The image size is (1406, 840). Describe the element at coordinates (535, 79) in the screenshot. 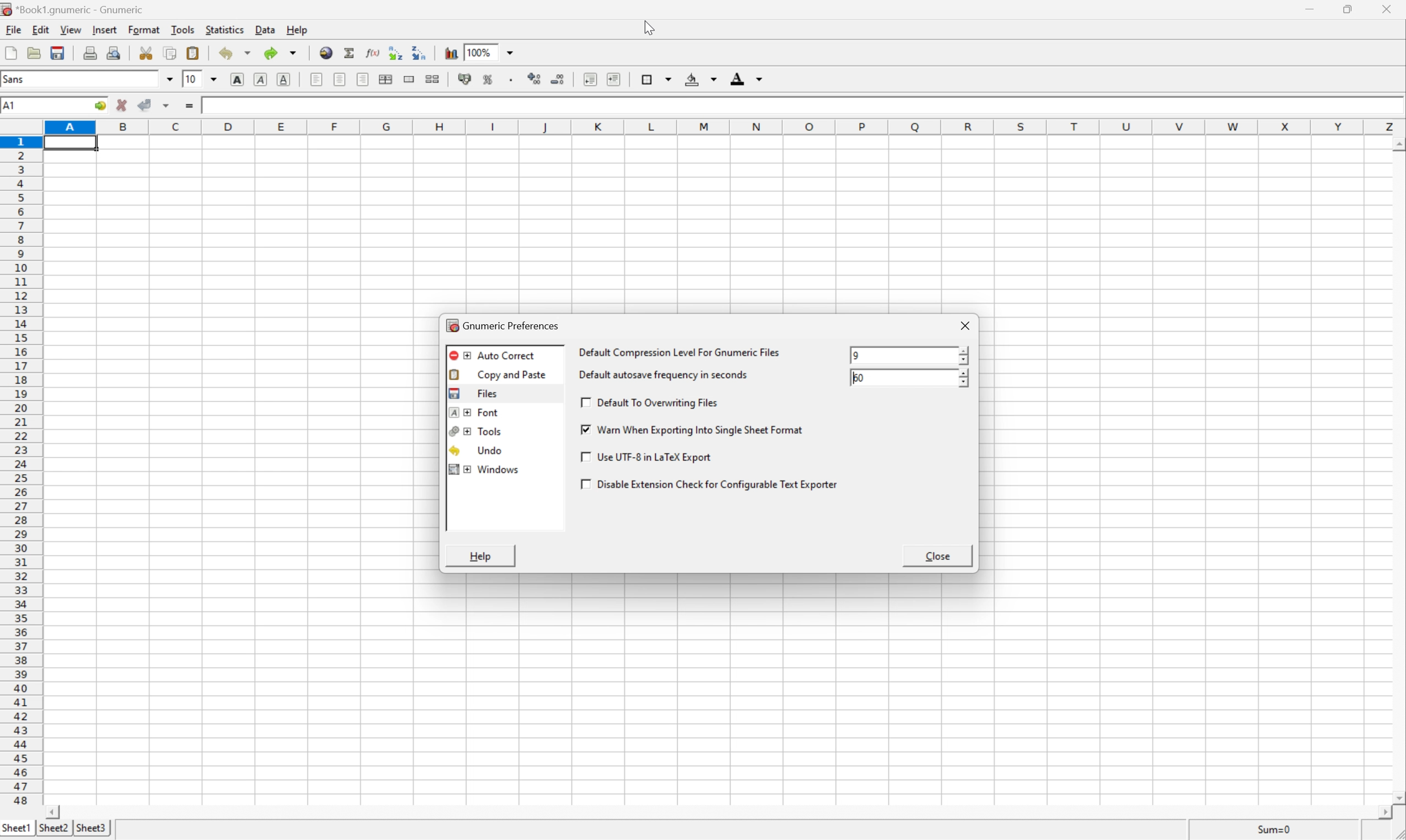

I see `increase number of decimals displayed` at that location.